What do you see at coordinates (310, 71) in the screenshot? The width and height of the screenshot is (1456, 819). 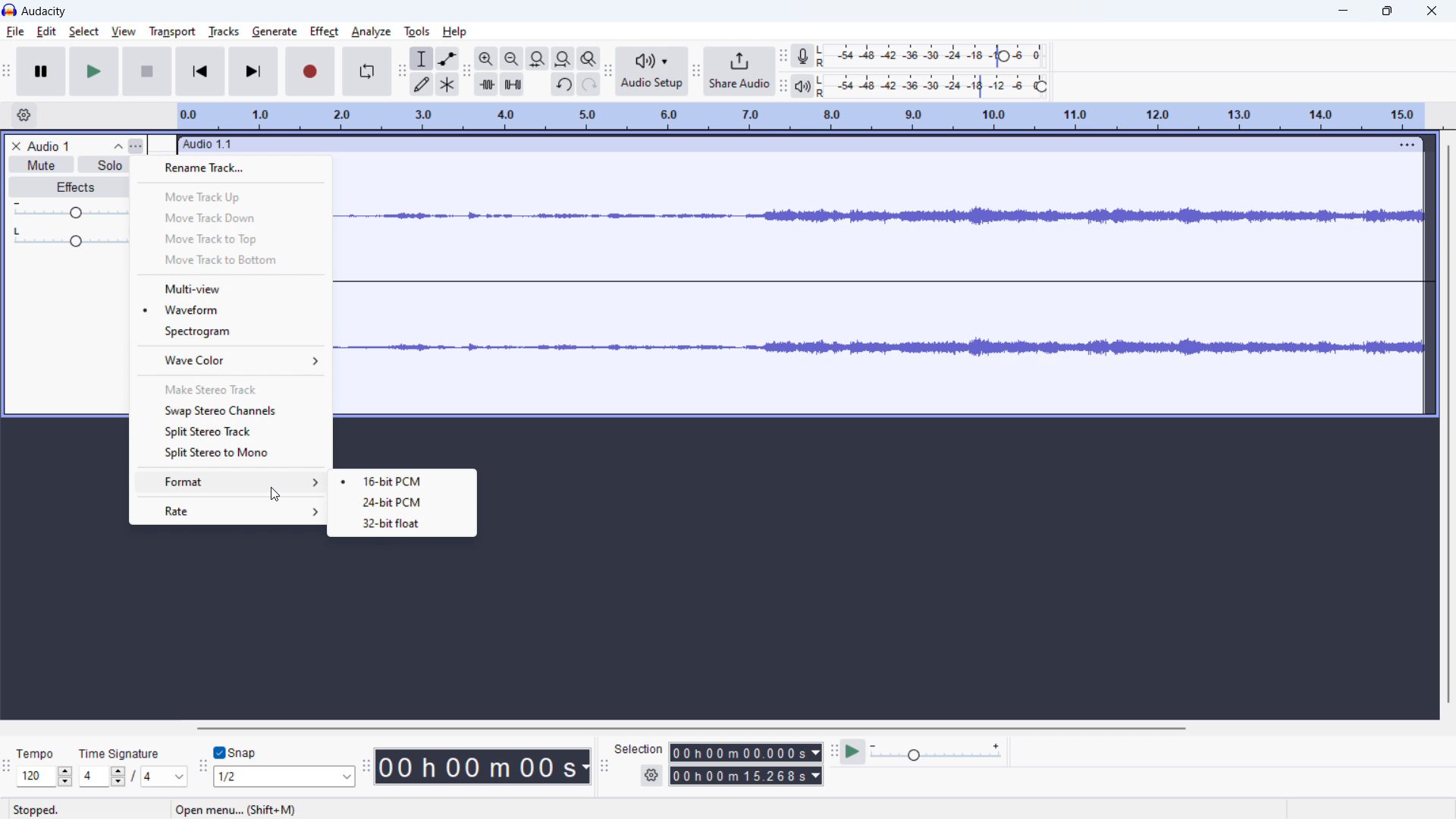 I see `record` at bounding box center [310, 71].